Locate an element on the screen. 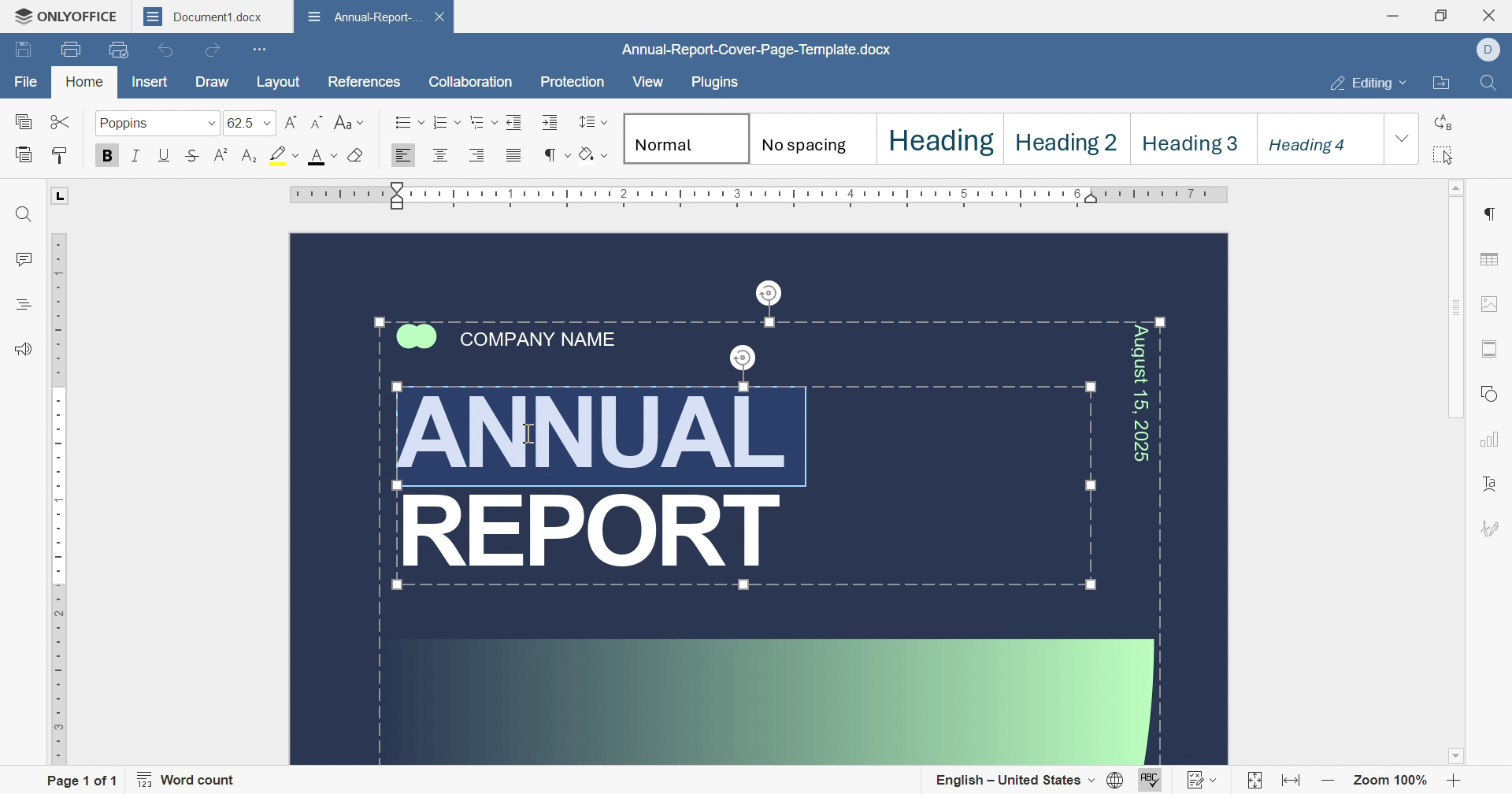  references is located at coordinates (362, 81).